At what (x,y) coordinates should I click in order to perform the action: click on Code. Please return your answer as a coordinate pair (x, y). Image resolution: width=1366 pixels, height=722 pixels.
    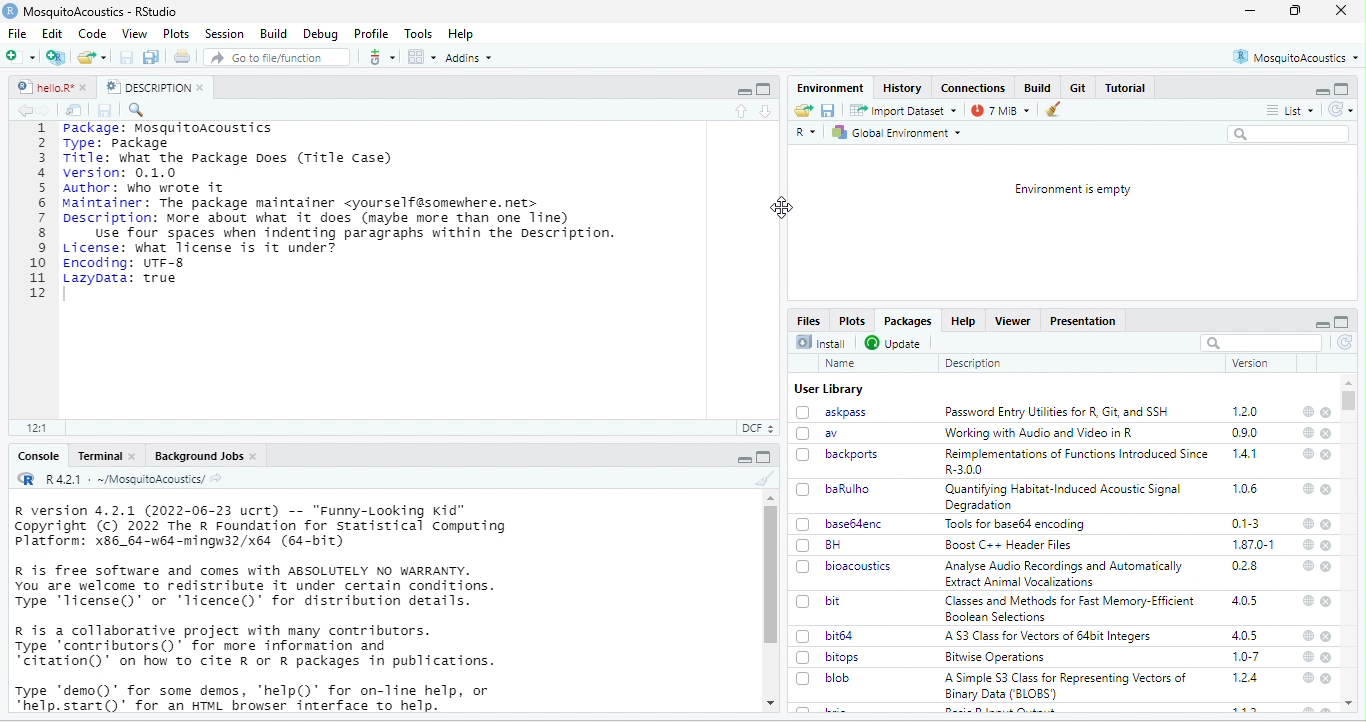
    Looking at the image, I should click on (93, 33).